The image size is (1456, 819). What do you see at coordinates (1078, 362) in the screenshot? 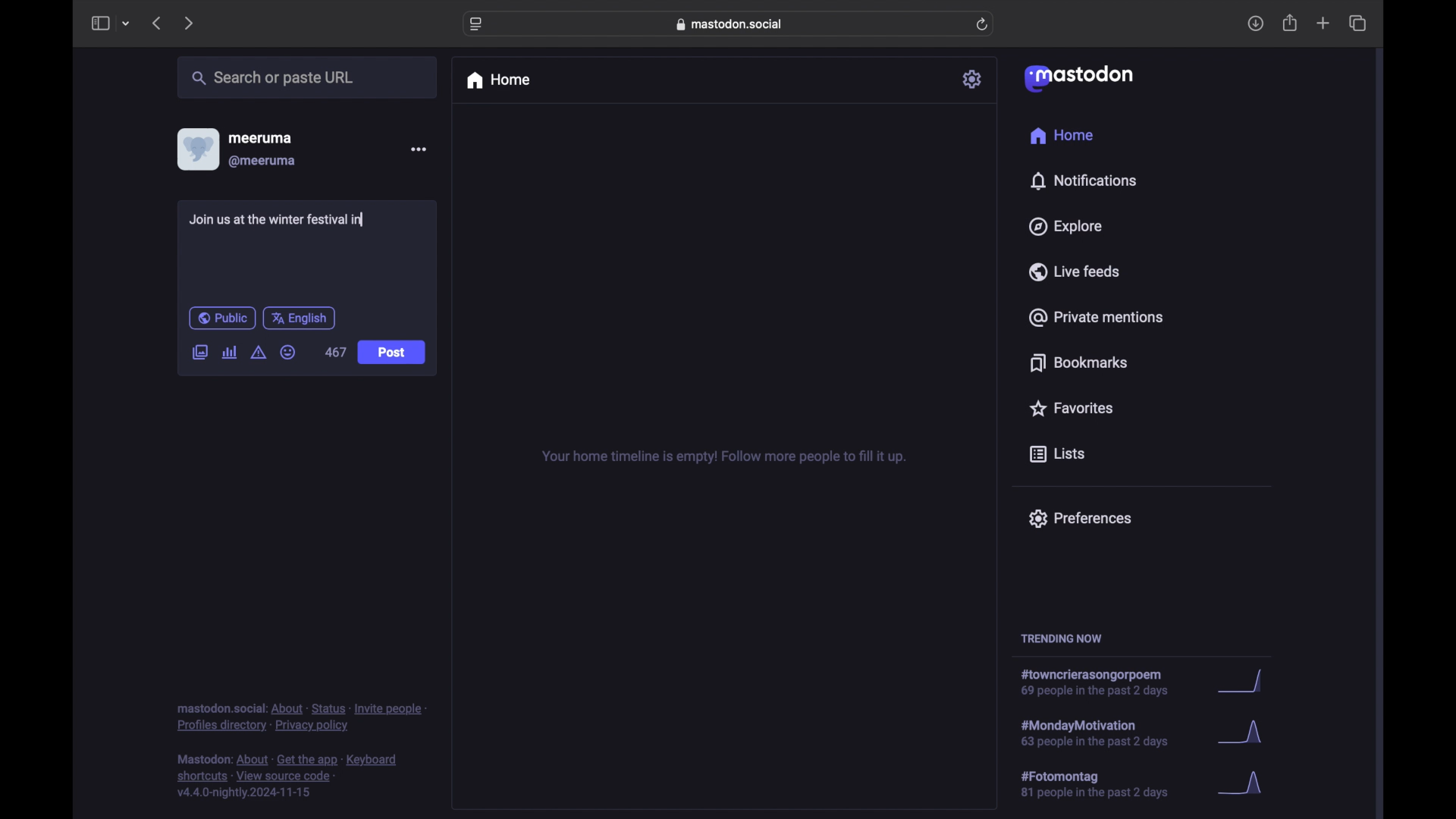
I see `bookmarks` at bounding box center [1078, 362].